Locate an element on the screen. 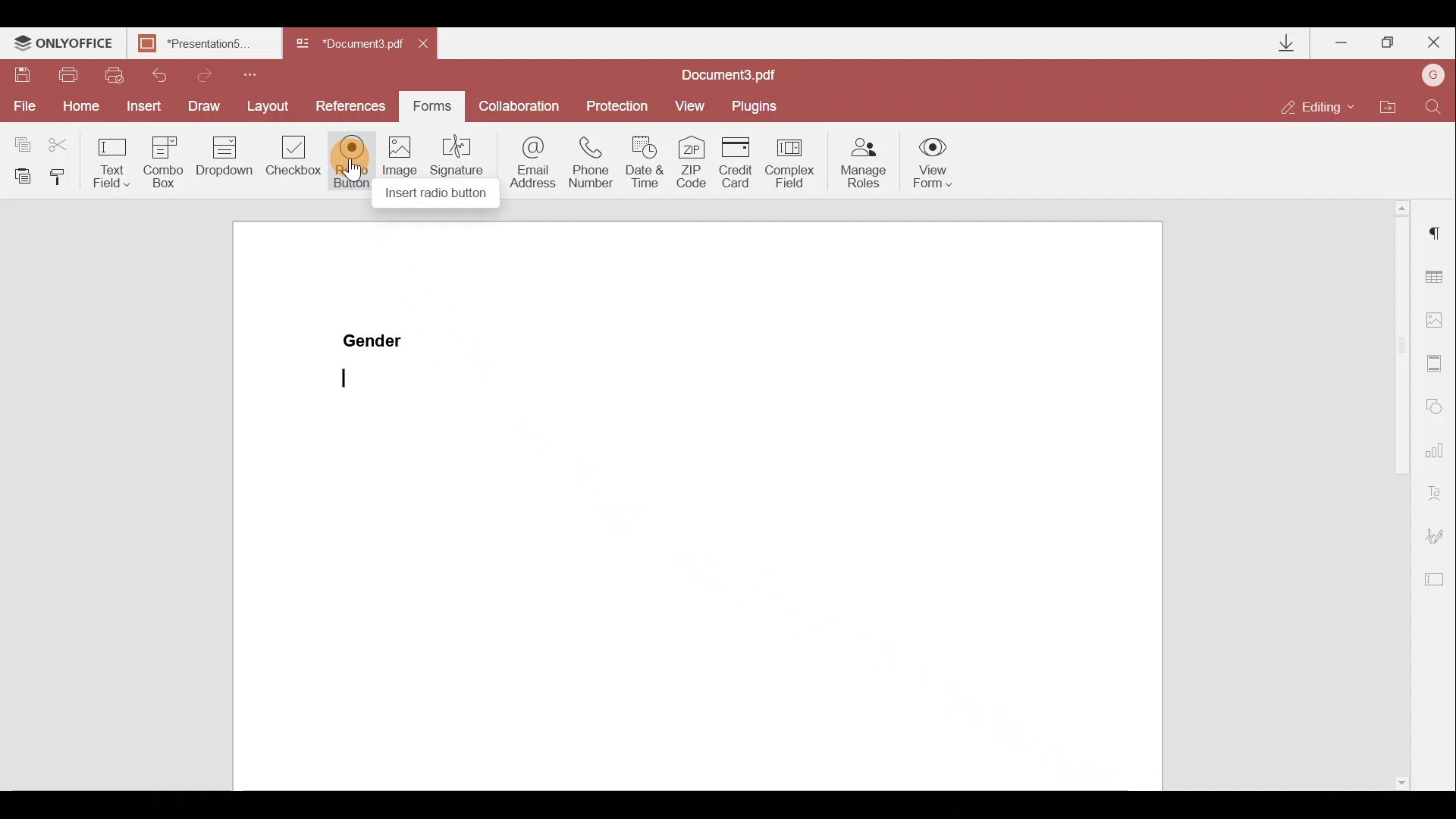 Image resolution: width=1456 pixels, height=819 pixels. Home is located at coordinates (77, 108).